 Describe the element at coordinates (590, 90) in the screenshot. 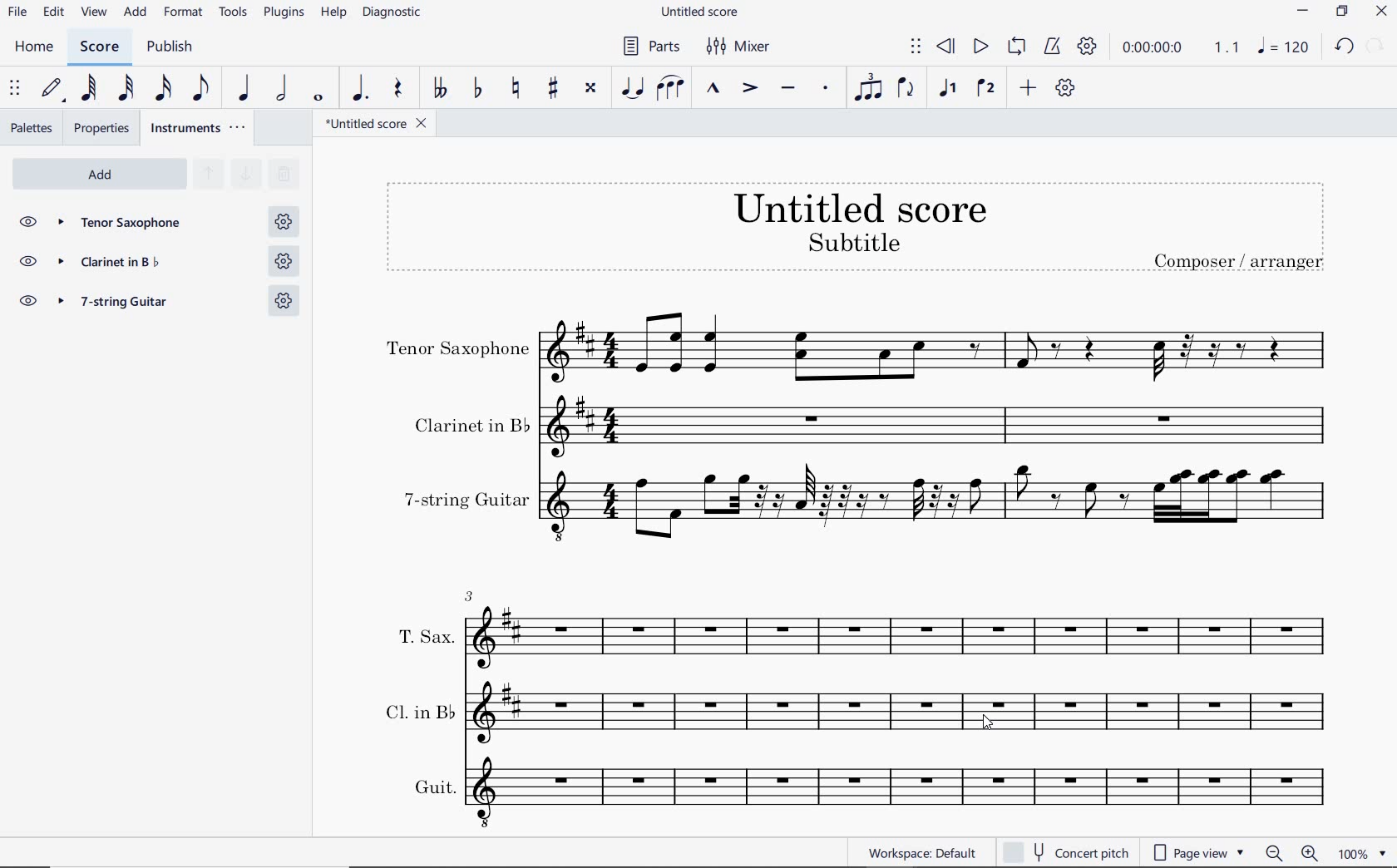

I see `TOGGLE DOUBLE-SHARP` at that location.